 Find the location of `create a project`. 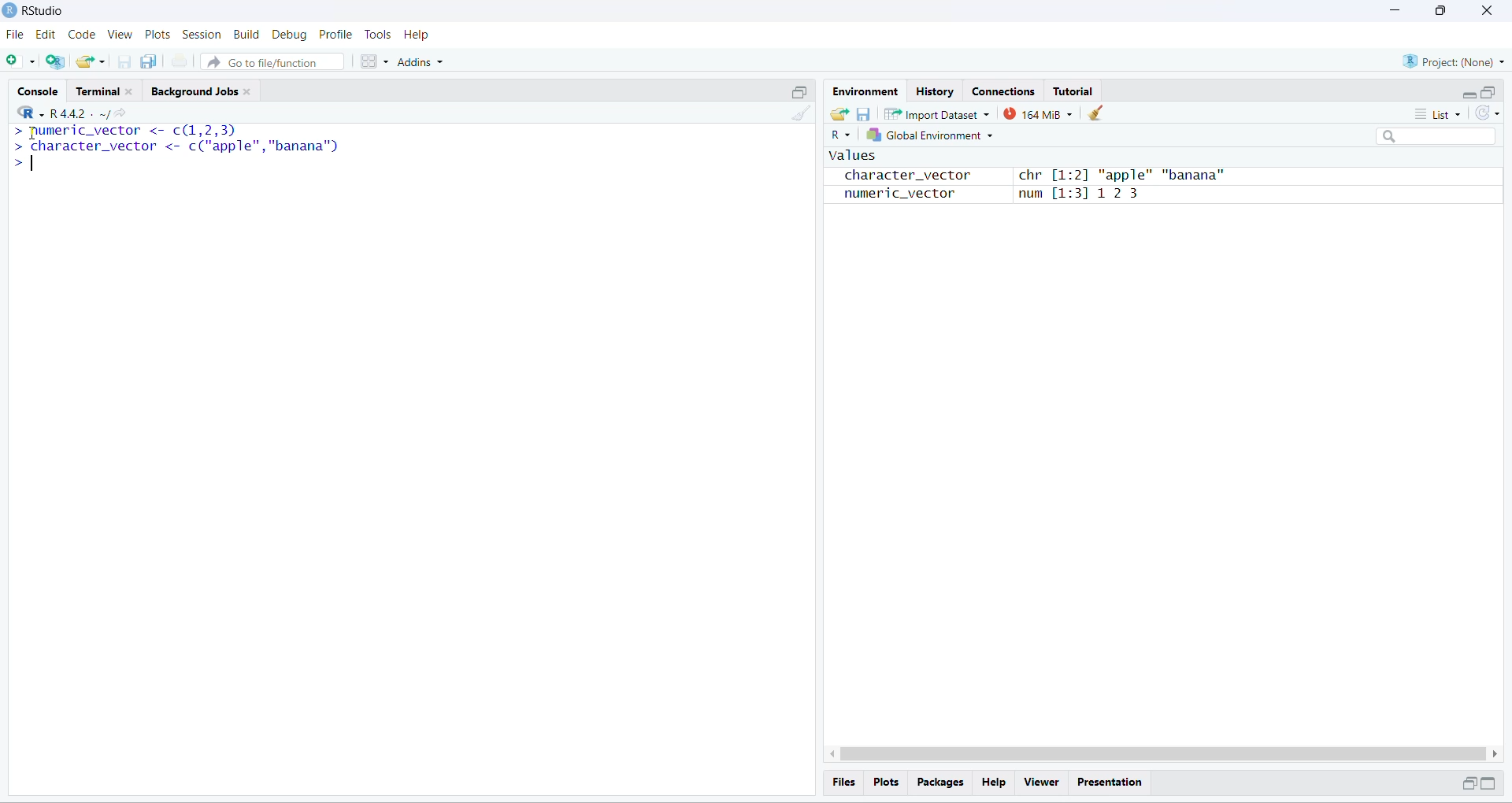

create a project is located at coordinates (54, 61).